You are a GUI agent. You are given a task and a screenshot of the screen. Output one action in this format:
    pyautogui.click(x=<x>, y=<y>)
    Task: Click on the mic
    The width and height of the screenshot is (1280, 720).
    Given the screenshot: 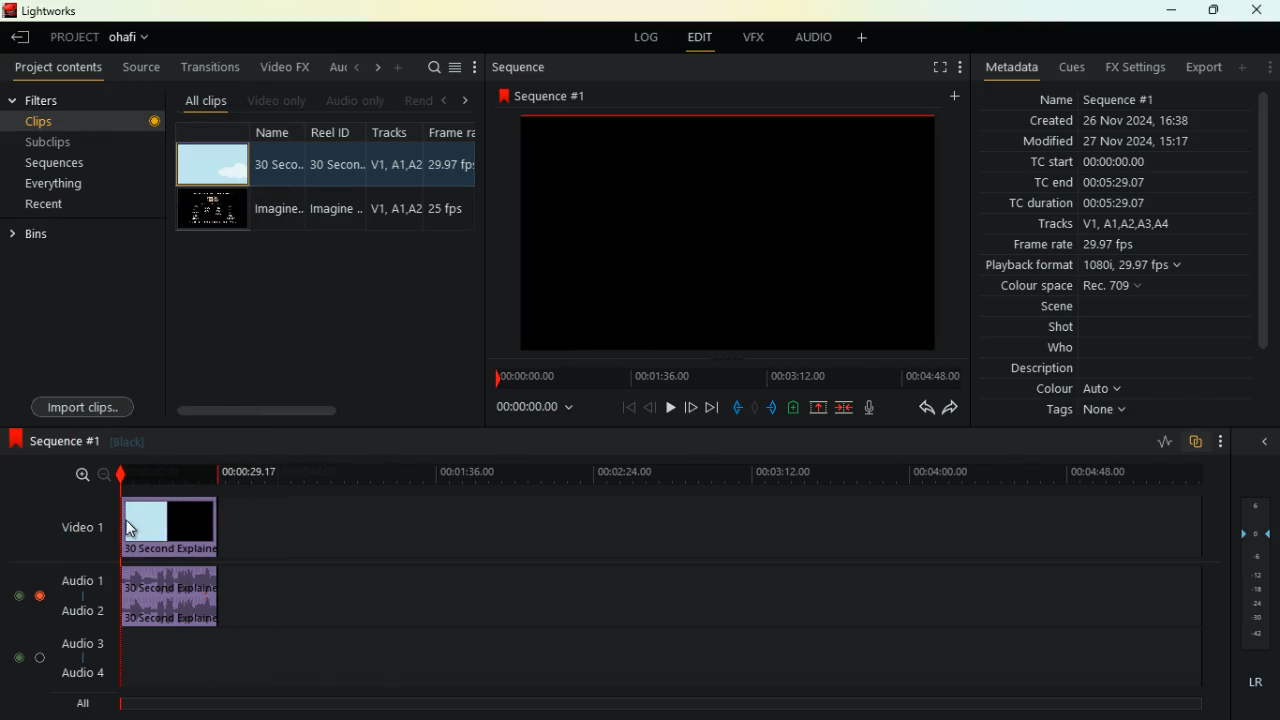 What is the action you would take?
    pyautogui.click(x=873, y=405)
    